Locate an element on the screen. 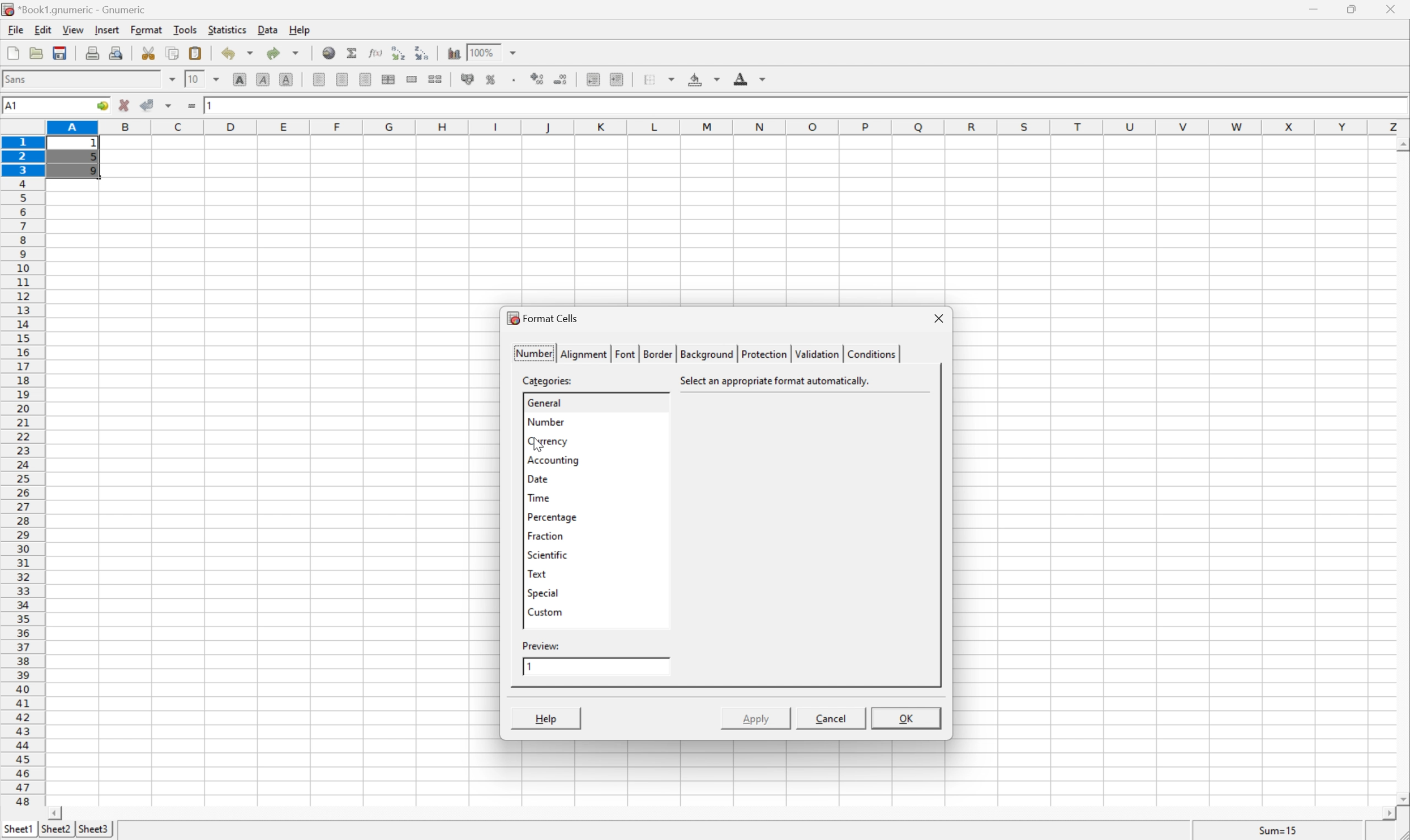  bold is located at coordinates (242, 80).